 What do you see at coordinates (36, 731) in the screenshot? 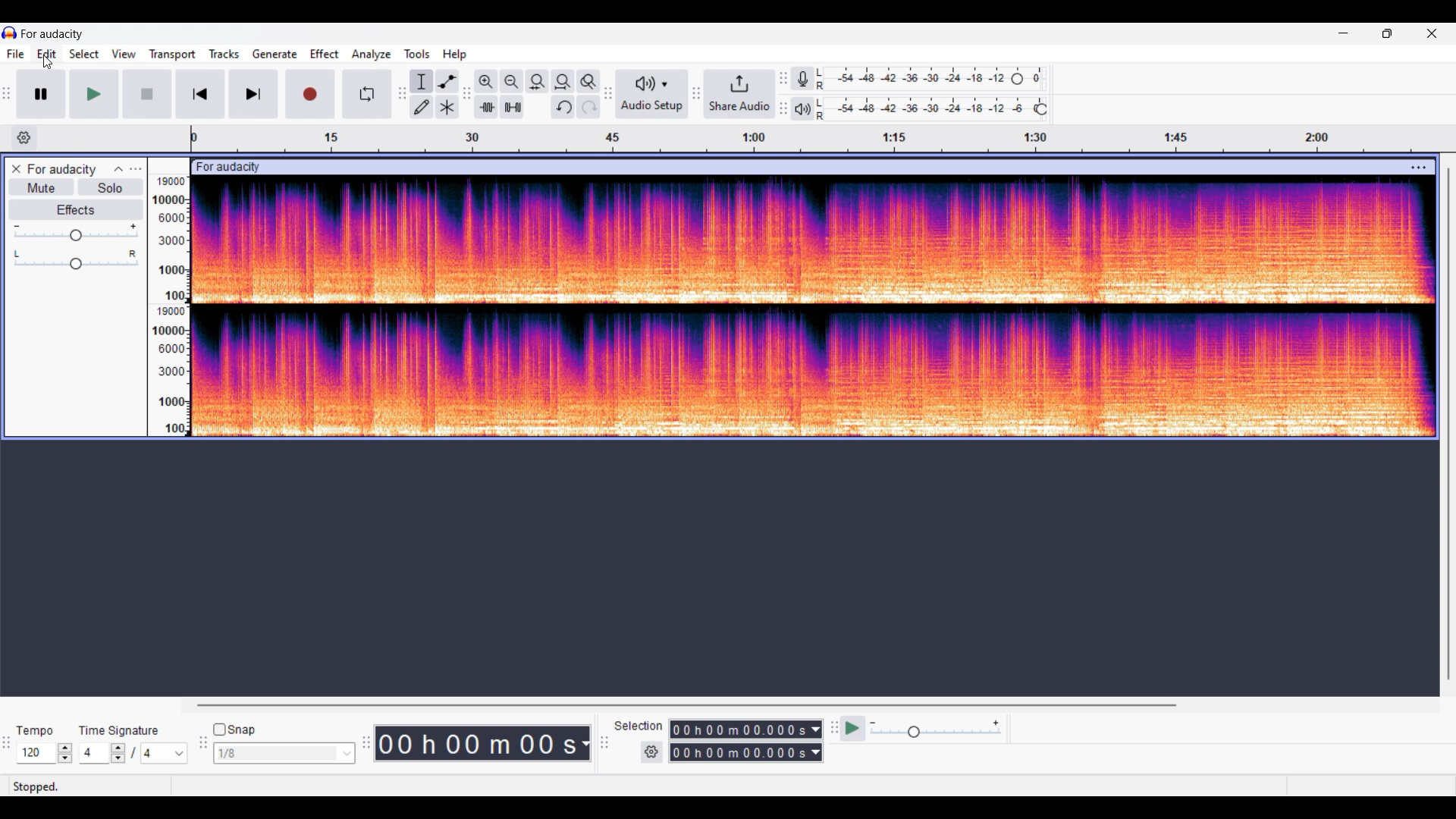
I see `Indicates Tempo settings` at bounding box center [36, 731].